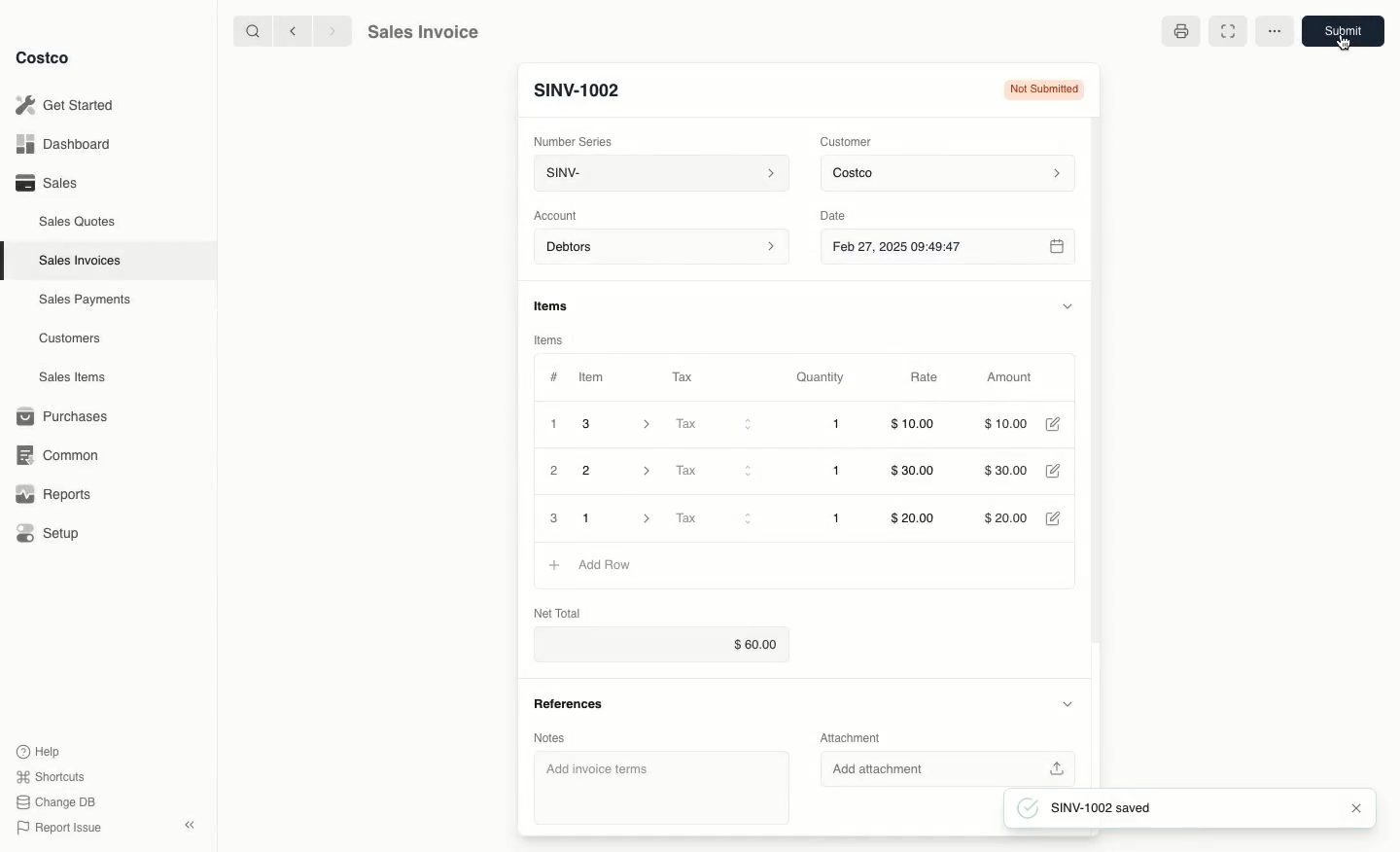 This screenshot has width=1400, height=852. What do you see at coordinates (1007, 378) in the screenshot?
I see `Amount` at bounding box center [1007, 378].